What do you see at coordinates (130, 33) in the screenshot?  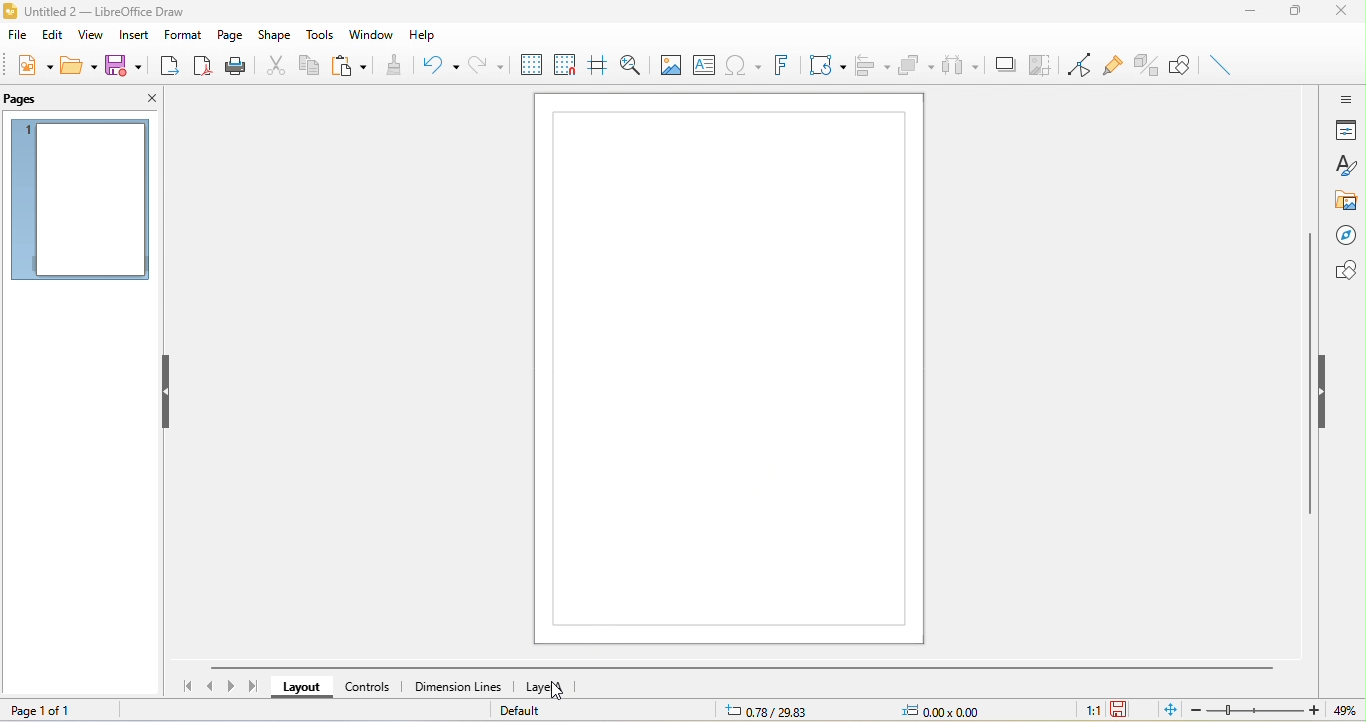 I see `insert` at bounding box center [130, 33].